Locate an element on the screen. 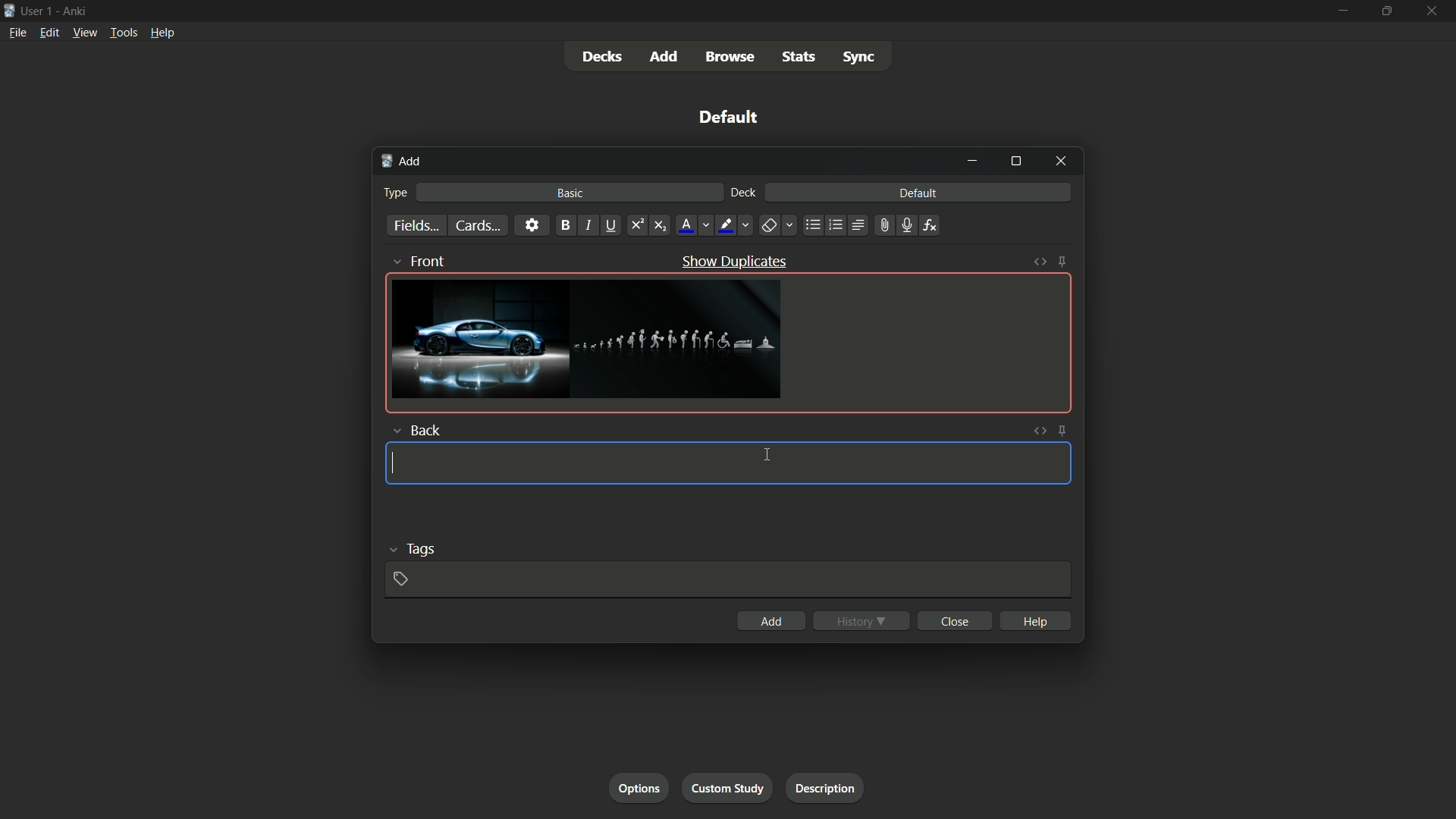 This screenshot has width=1456, height=819. one image added is located at coordinates (479, 339).